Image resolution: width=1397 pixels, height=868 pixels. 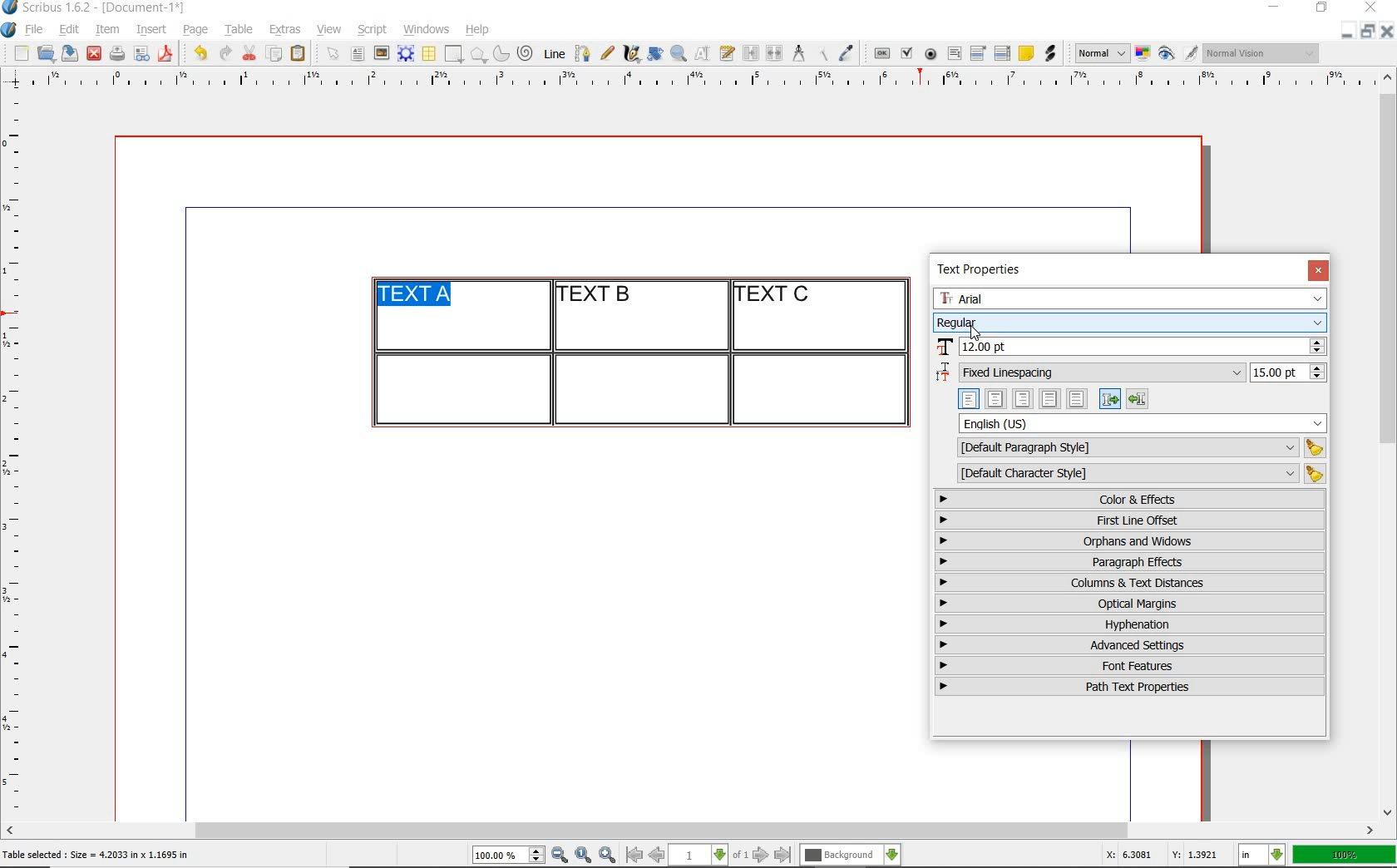 I want to click on render frame, so click(x=406, y=54).